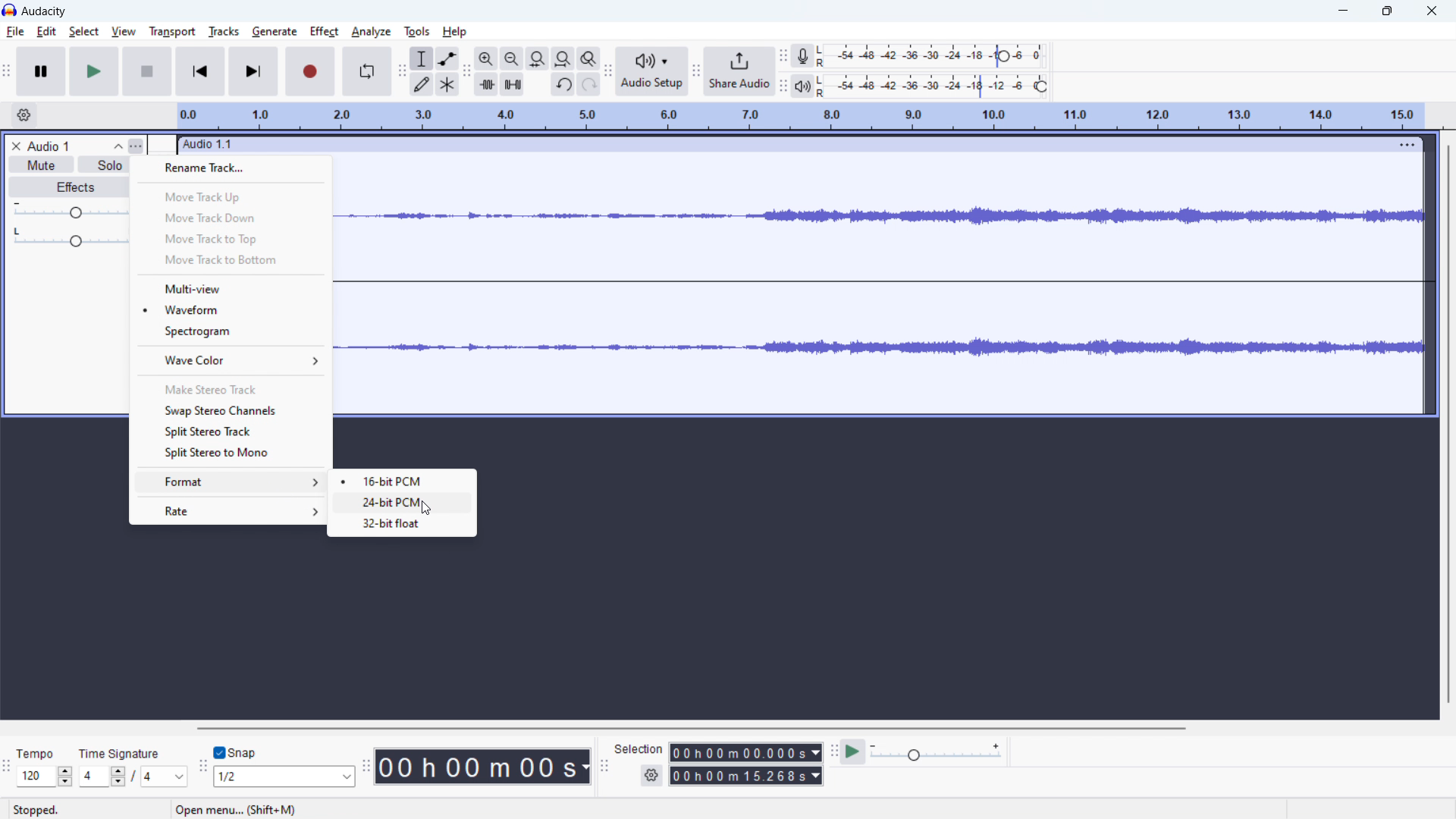 This screenshot has width=1456, height=819. What do you see at coordinates (231, 218) in the screenshot?
I see `move track down` at bounding box center [231, 218].